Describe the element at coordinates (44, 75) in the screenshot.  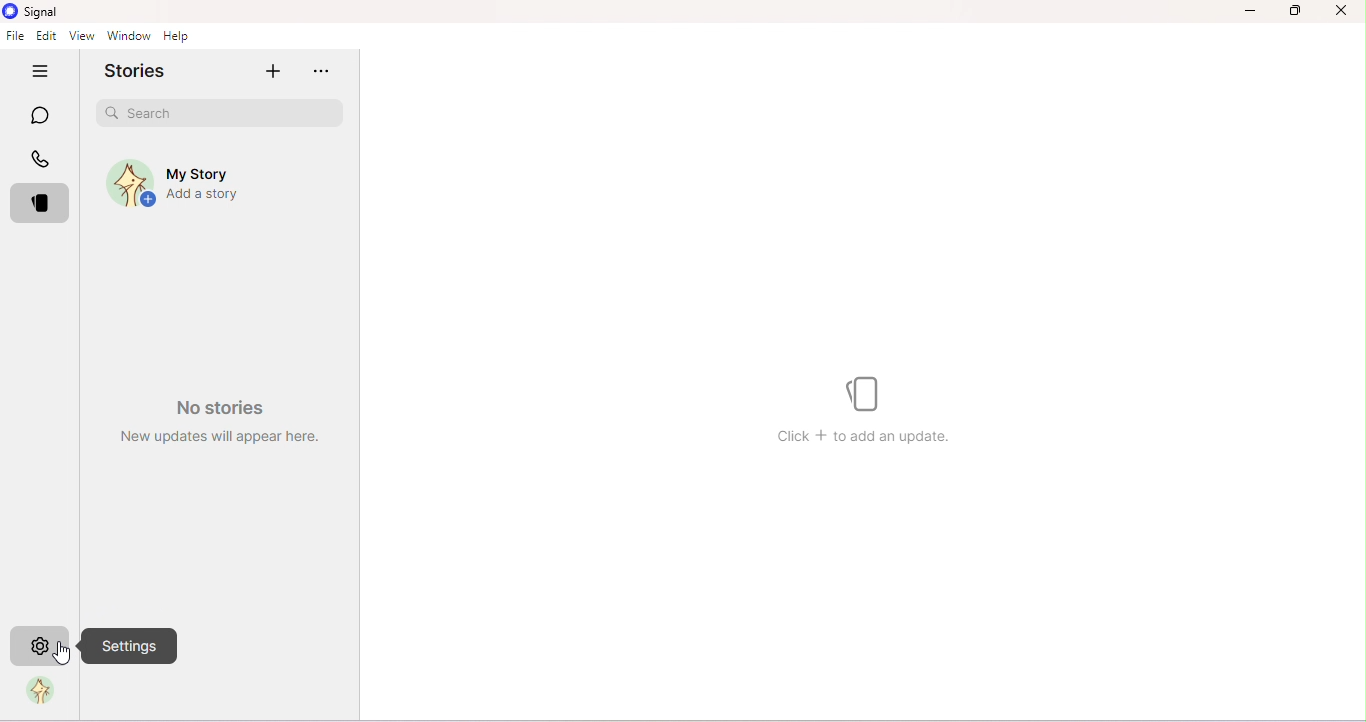
I see `Hide` at that location.